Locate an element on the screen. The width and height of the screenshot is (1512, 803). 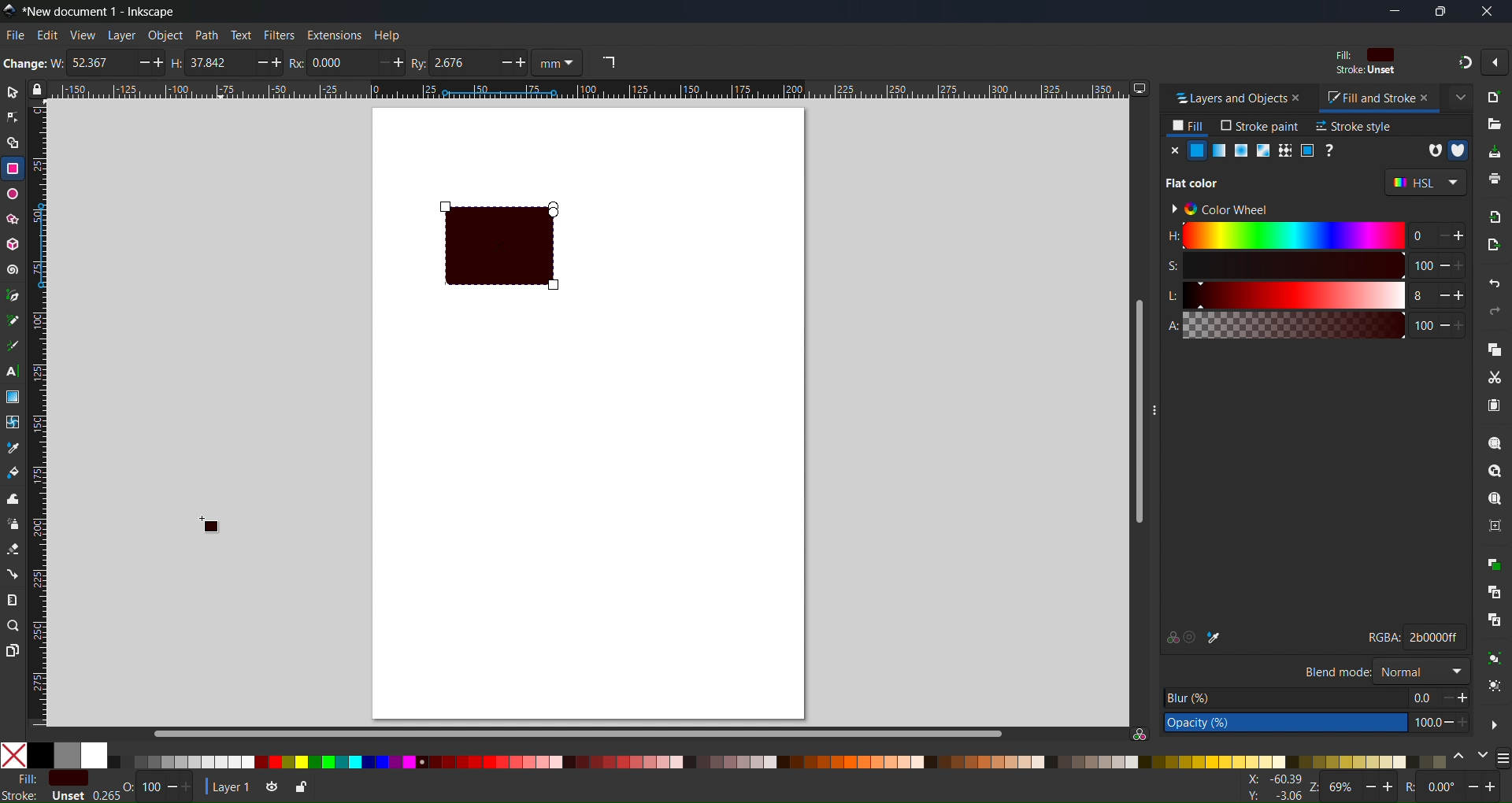
Radial gradient is located at coordinates (1240, 150).